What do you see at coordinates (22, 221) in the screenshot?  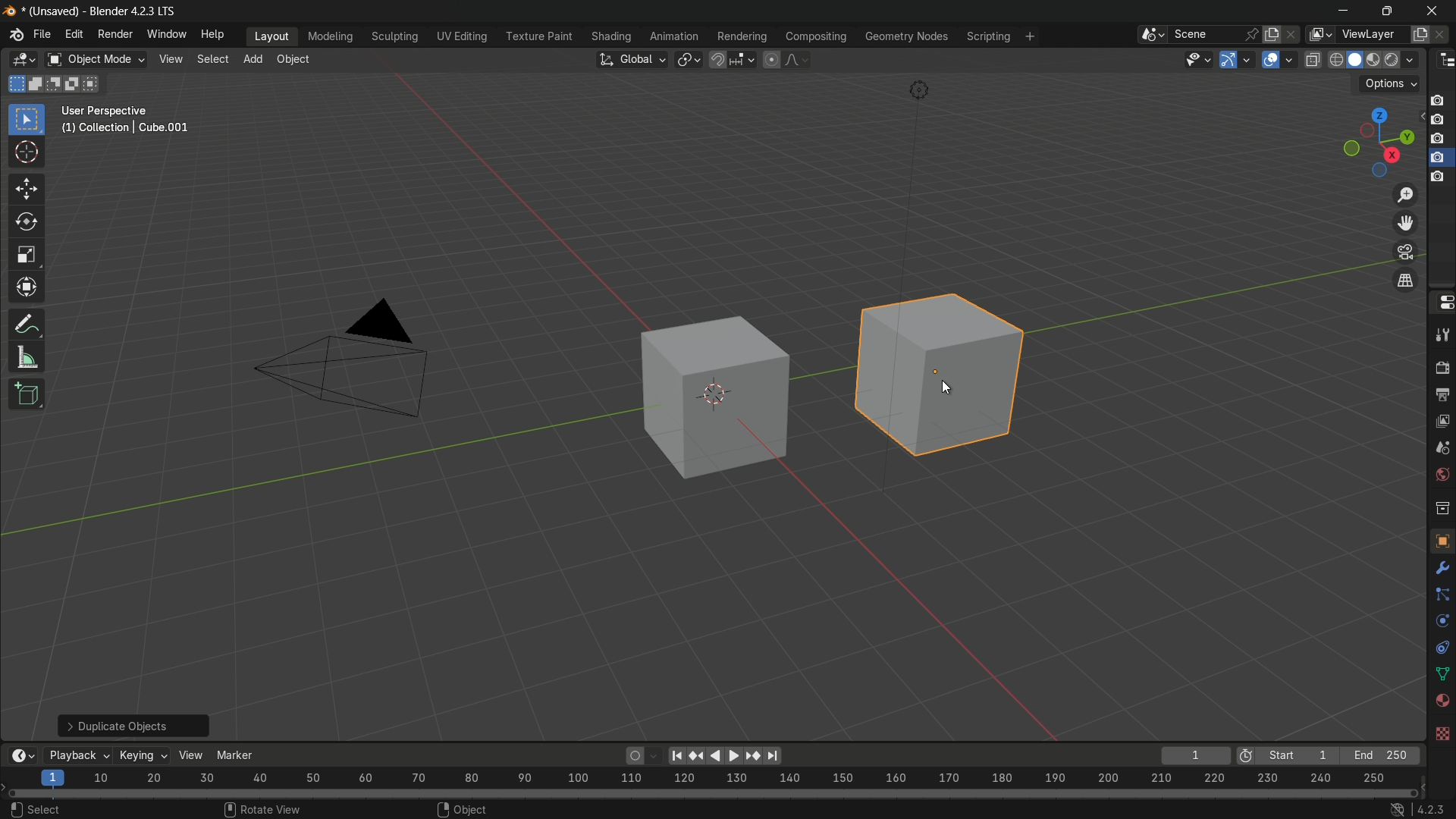 I see `rotate` at bounding box center [22, 221].